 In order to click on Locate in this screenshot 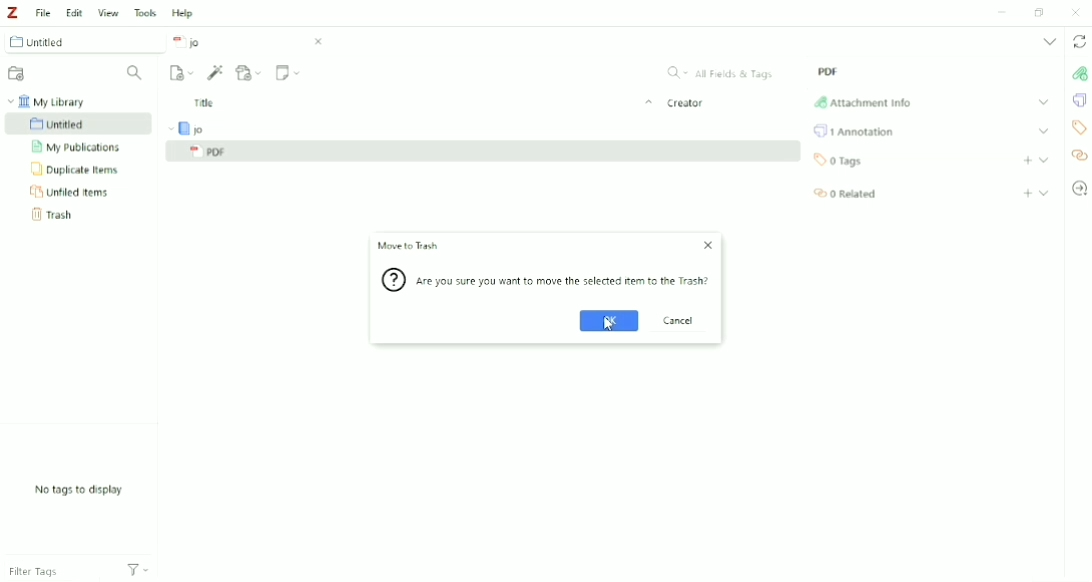, I will do `click(1080, 188)`.